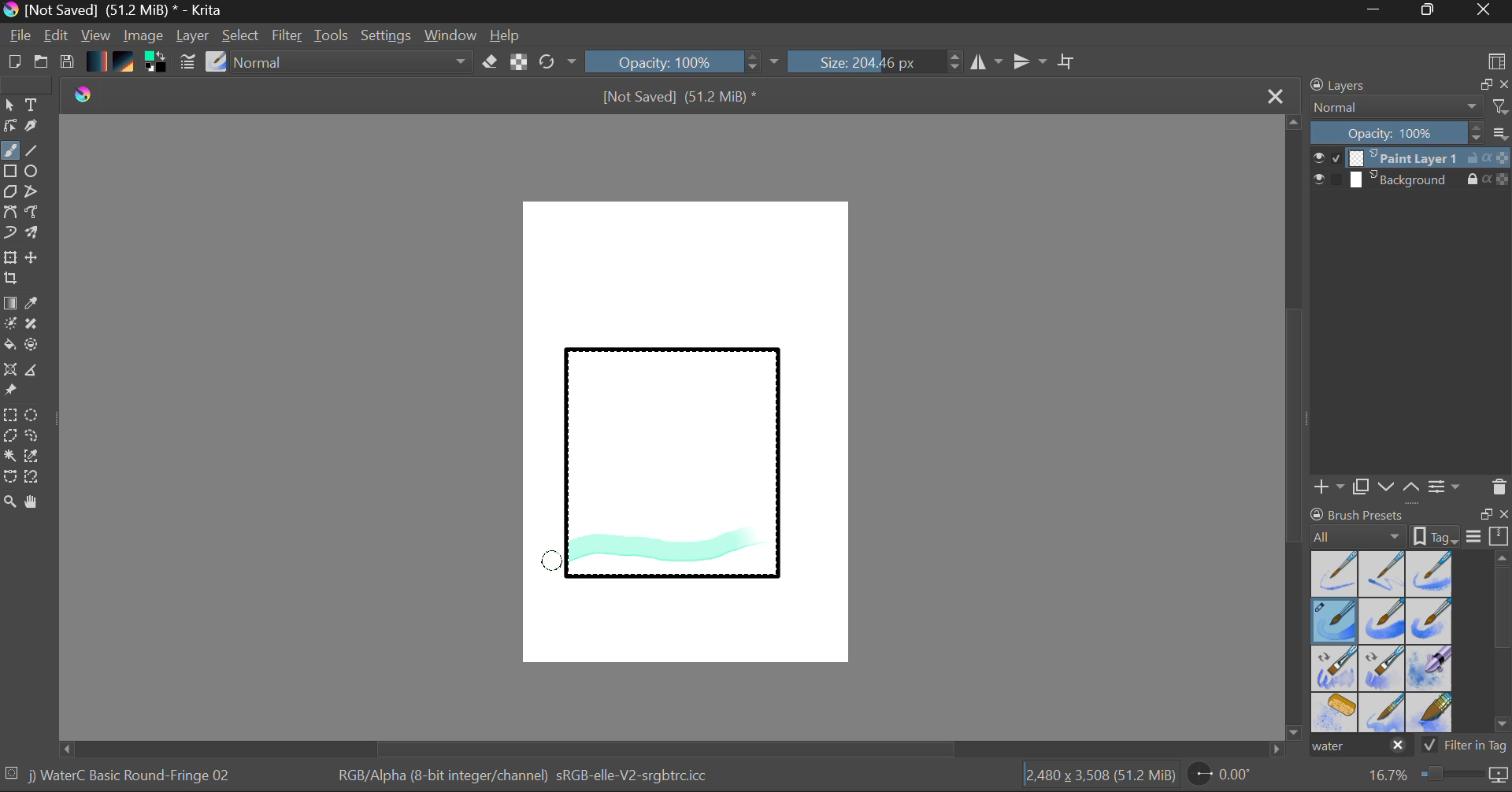 The width and height of the screenshot is (1512, 792). I want to click on Colorize Mask Tool, so click(11, 325).